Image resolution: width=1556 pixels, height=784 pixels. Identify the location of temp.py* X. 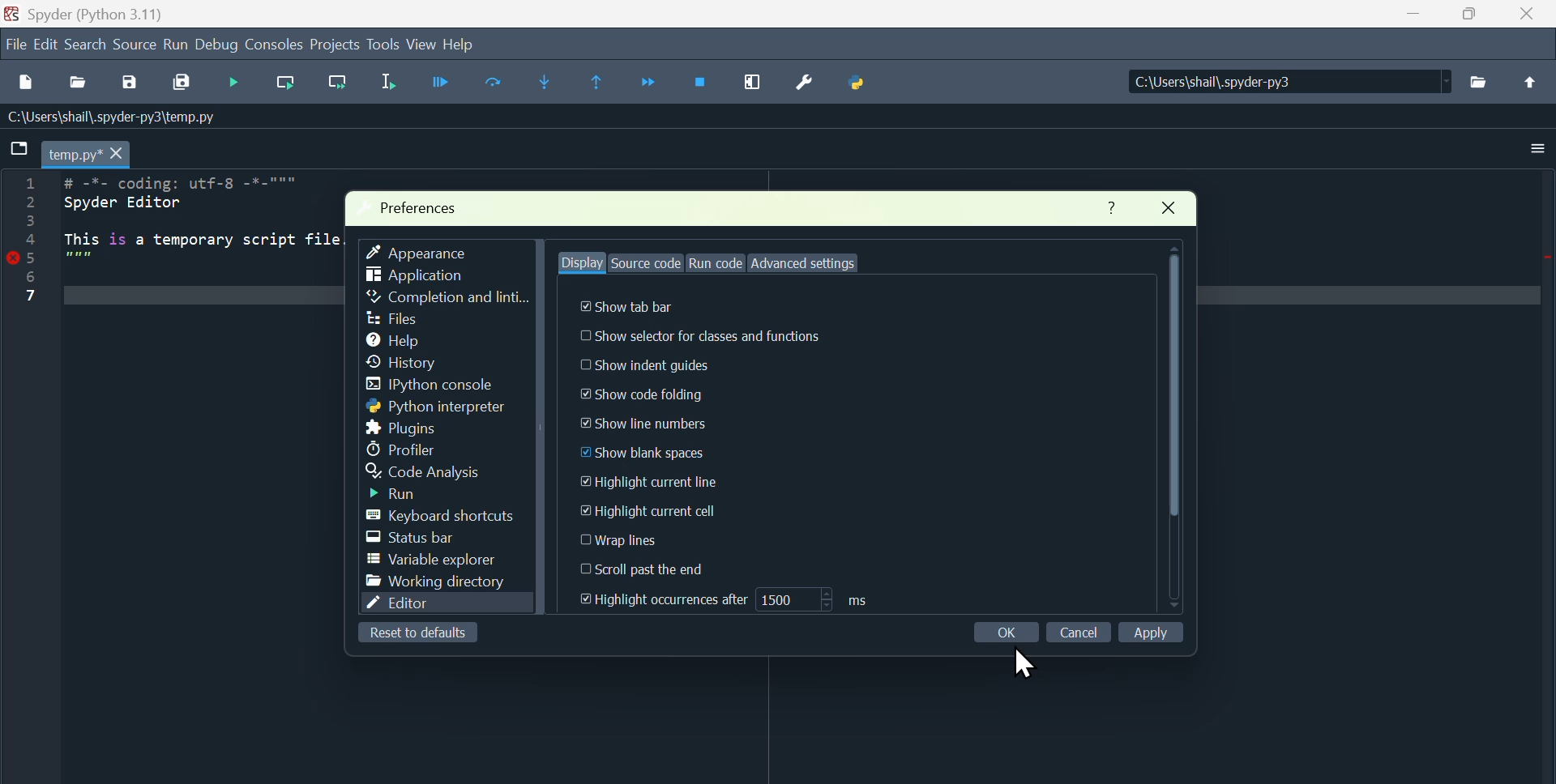
(85, 157).